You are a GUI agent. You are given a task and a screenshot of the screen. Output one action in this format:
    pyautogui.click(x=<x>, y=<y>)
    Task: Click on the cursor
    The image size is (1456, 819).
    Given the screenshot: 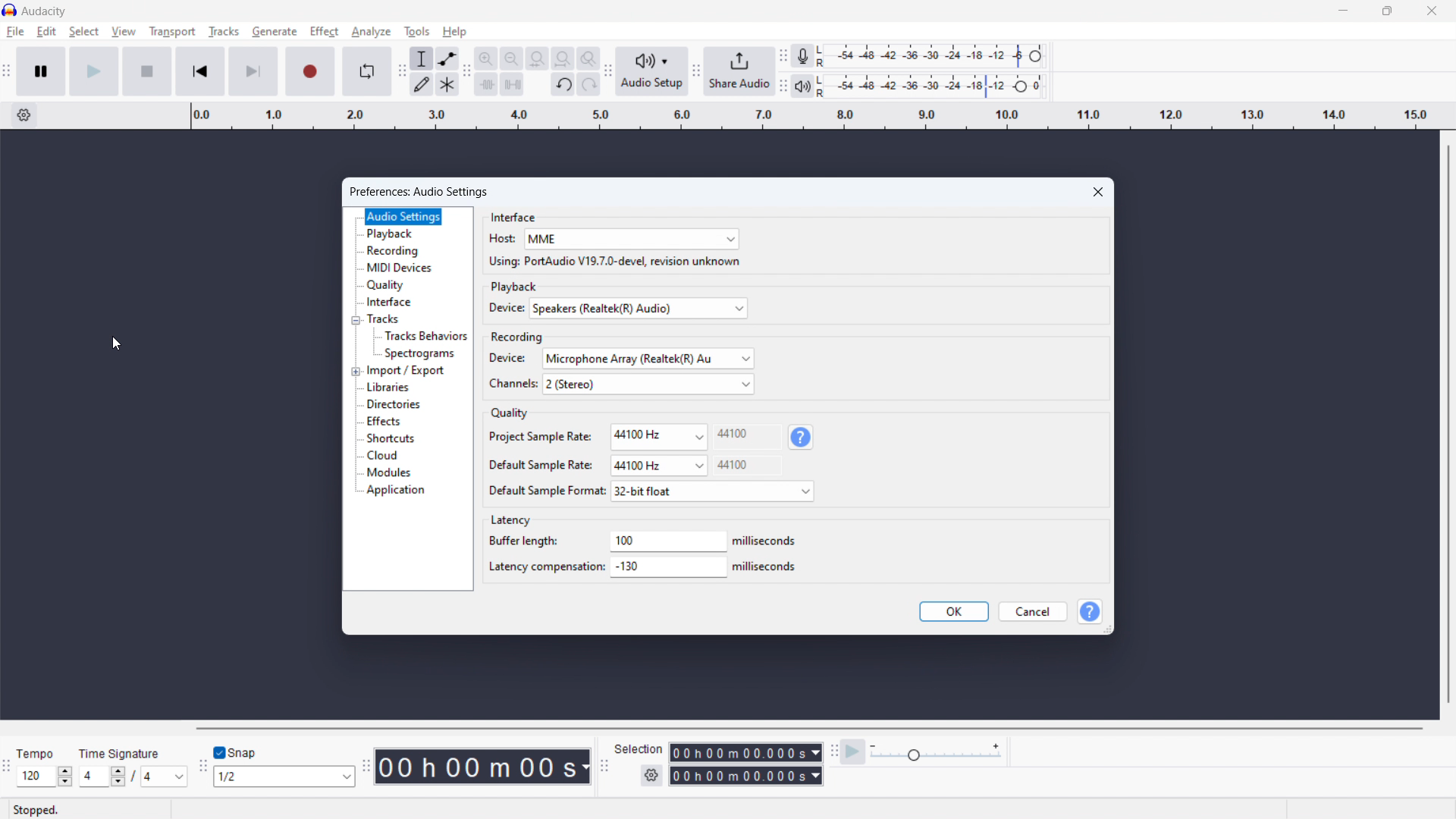 What is the action you would take?
    pyautogui.click(x=117, y=344)
    